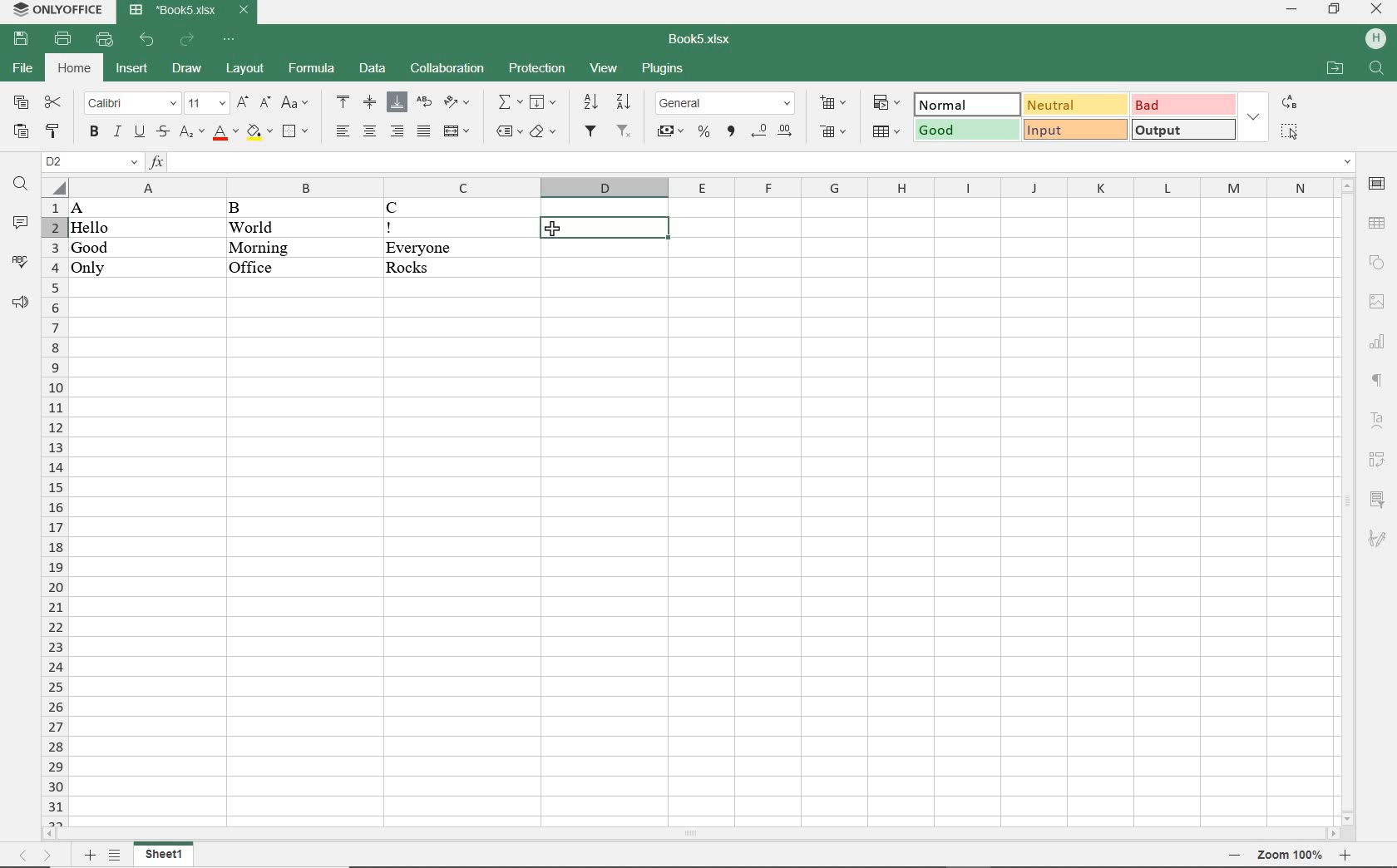 The height and width of the screenshot is (868, 1397). I want to click on Hello, so click(91, 229).